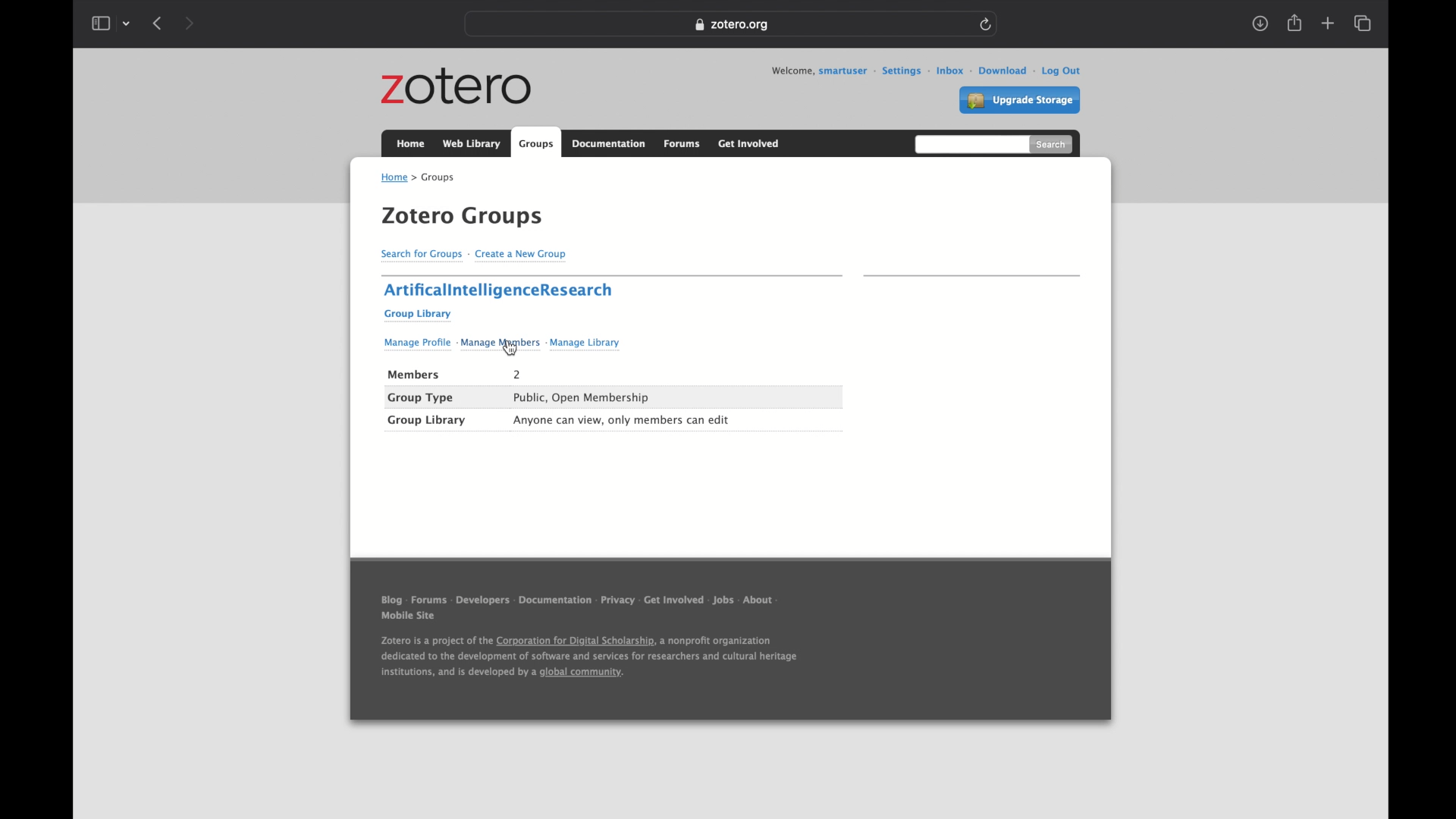  What do you see at coordinates (500, 346) in the screenshot?
I see `manage members` at bounding box center [500, 346].